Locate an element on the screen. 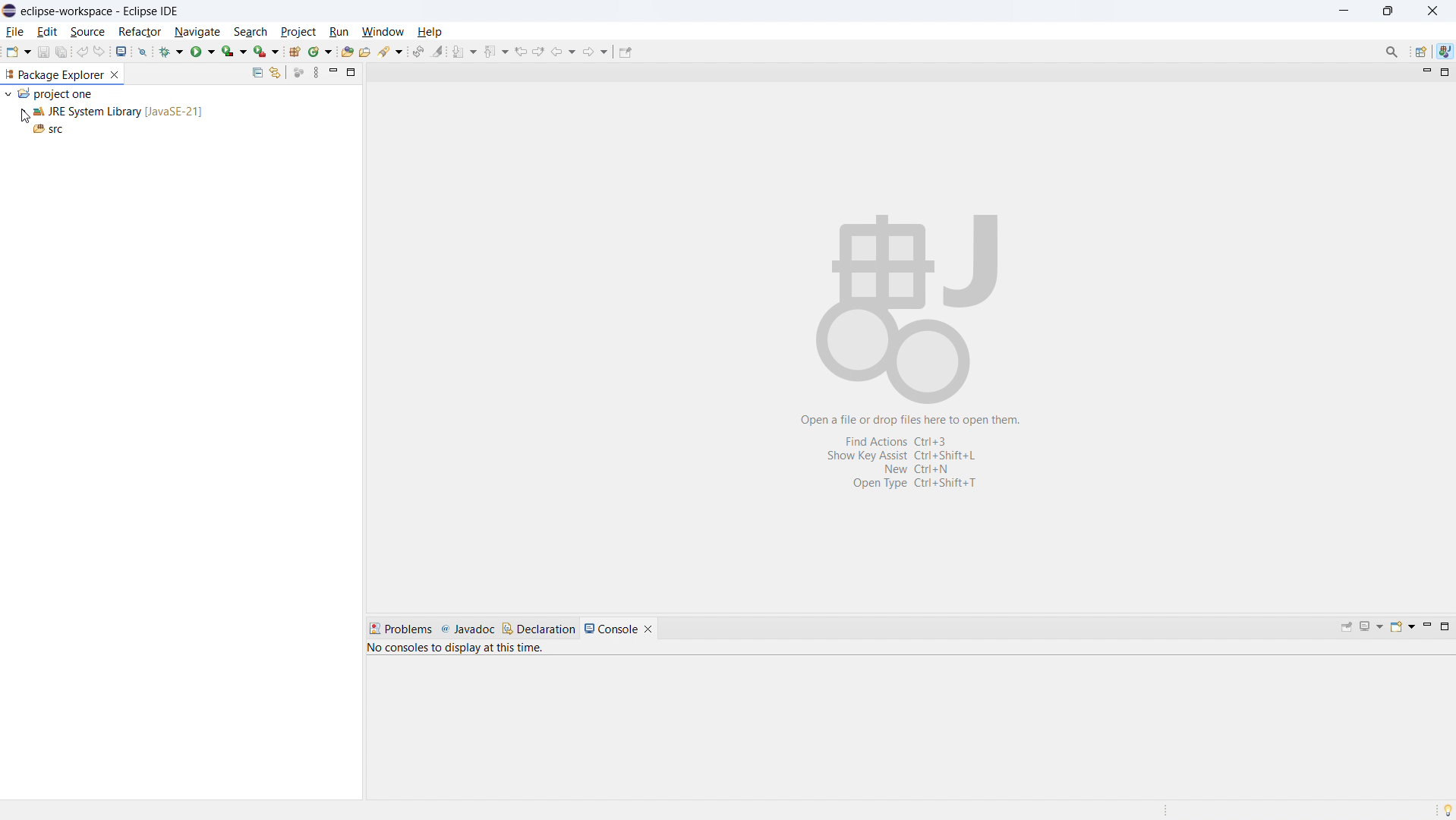 Image resolution: width=1456 pixels, height=820 pixels. file is located at coordinates (15, 31).